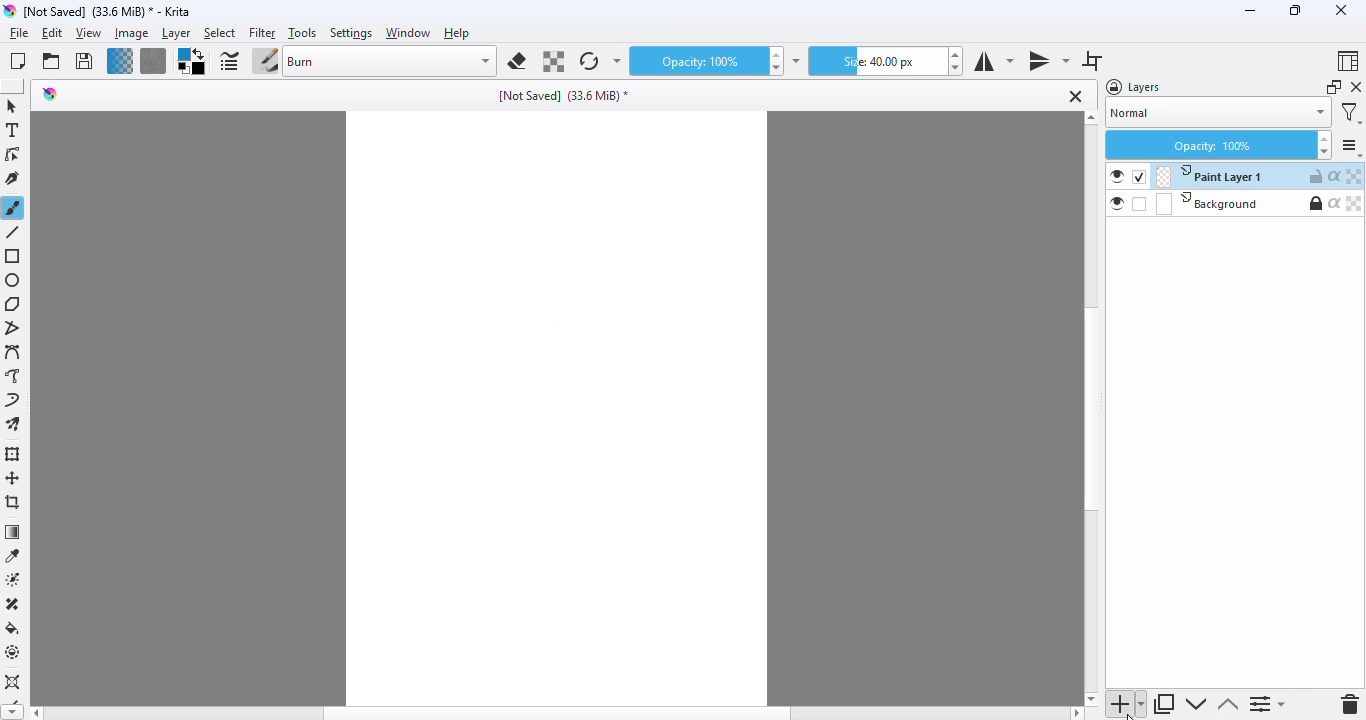 Image resolution: width=1366 pixels, height=720 pixels. Describe the element at coordinates (1091, 698) in the screenshot. I see `scroll down` at that location.